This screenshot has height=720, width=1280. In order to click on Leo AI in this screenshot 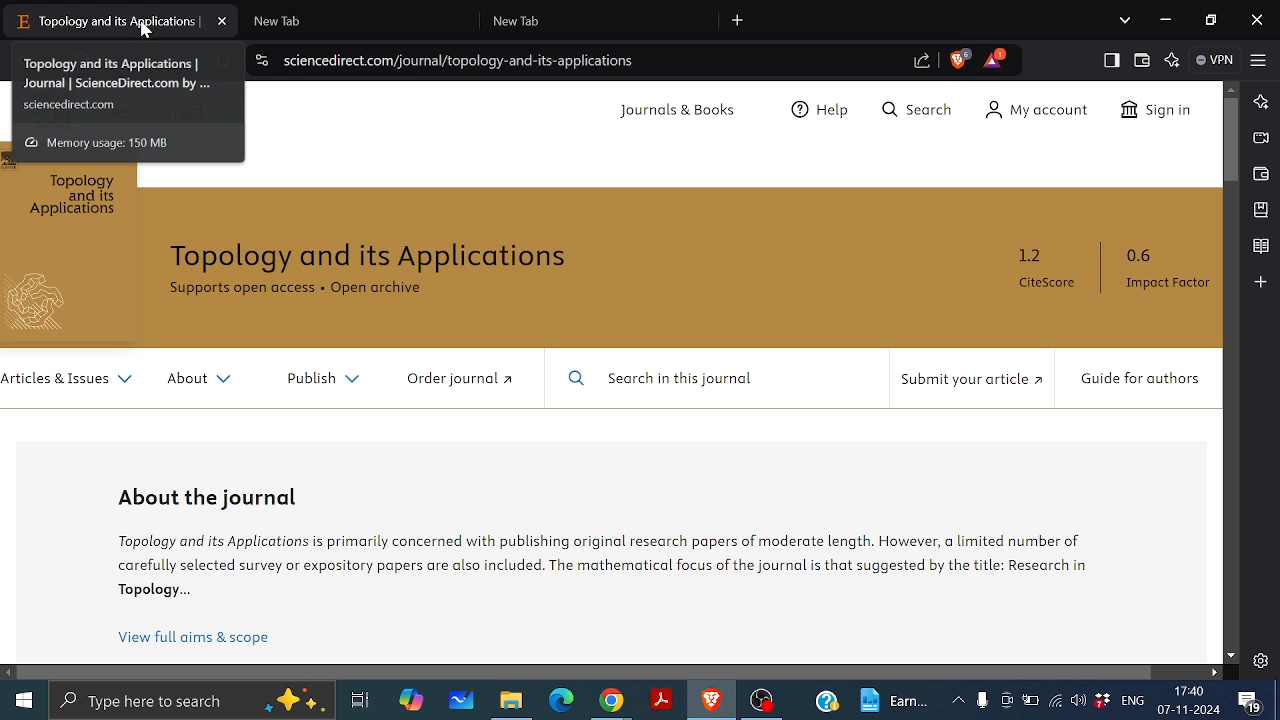, I will do `click(1173, 61)`.